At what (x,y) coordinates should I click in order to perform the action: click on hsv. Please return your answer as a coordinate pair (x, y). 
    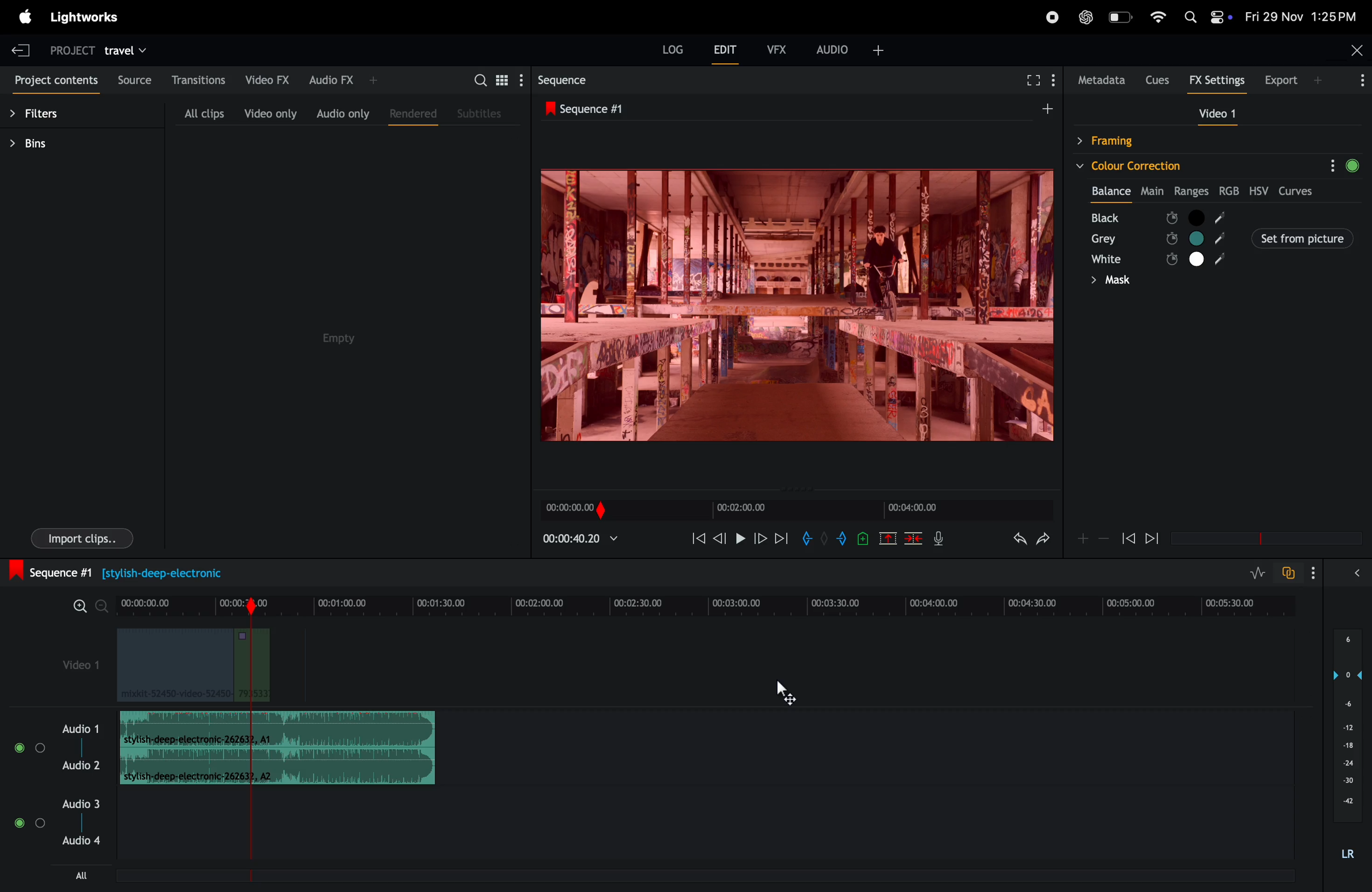
    Looking at the image, I should click on (1261, 191).